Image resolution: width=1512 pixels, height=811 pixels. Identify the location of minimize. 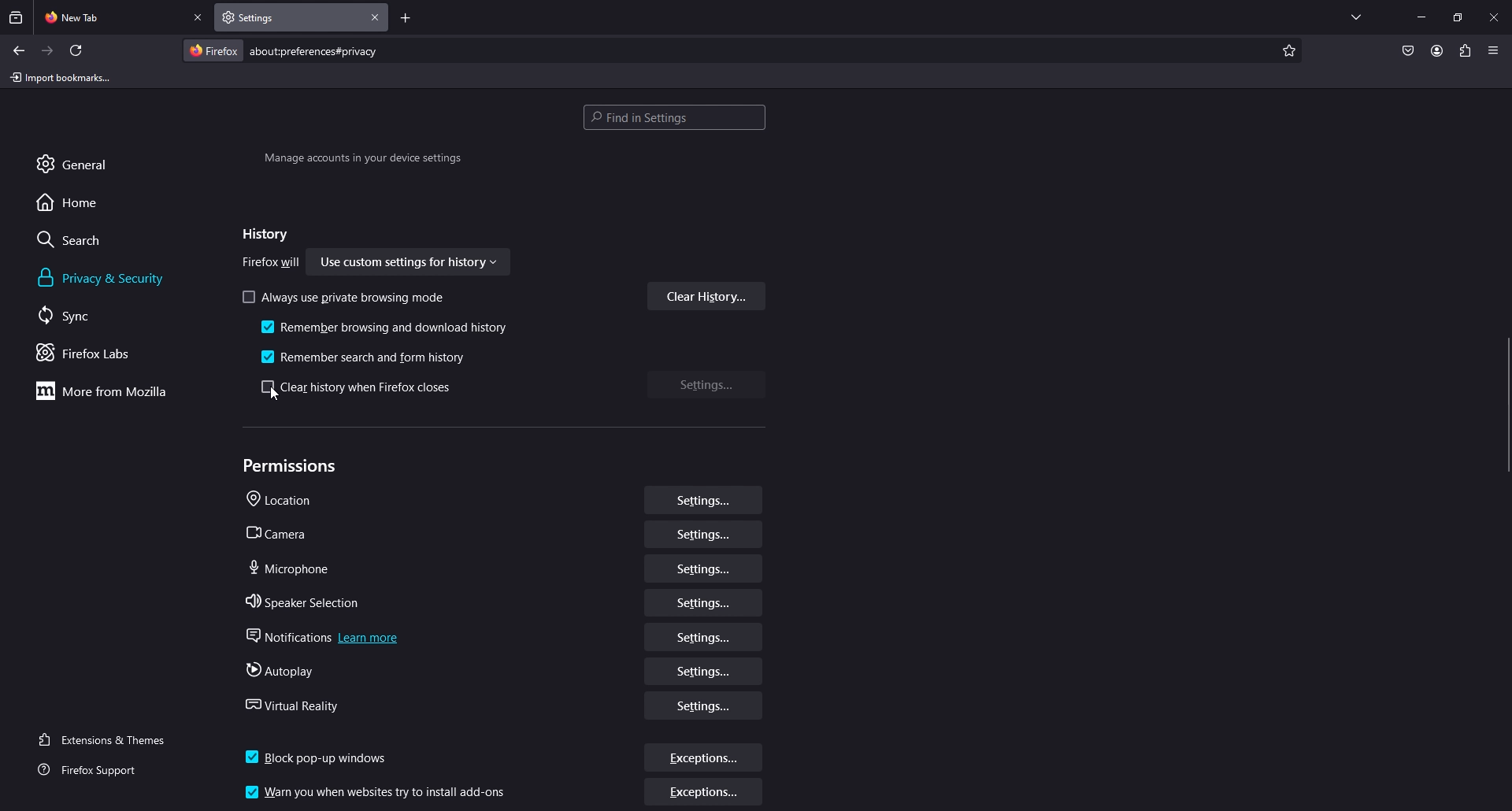
(1421, 16).